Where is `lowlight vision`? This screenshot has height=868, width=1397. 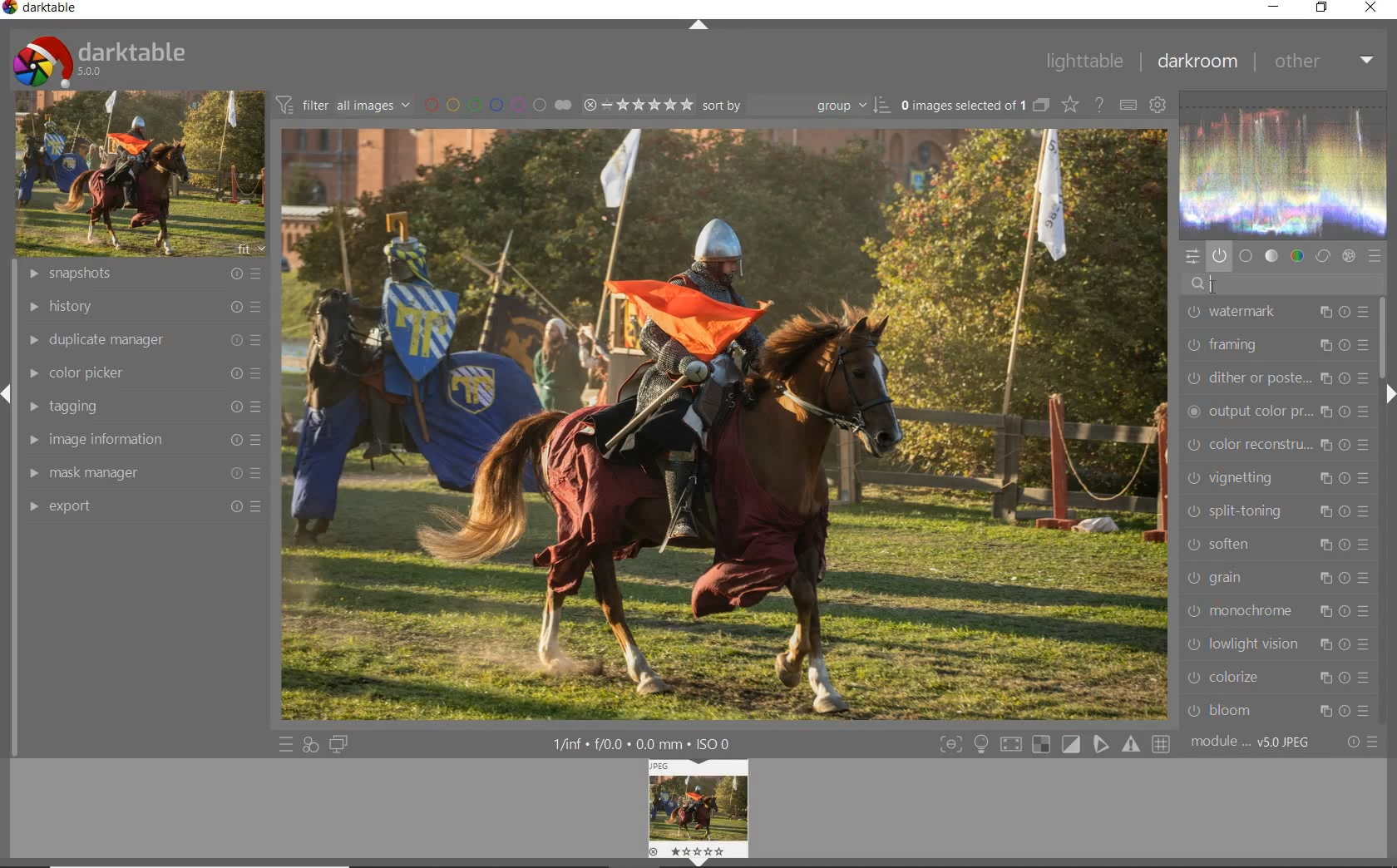
lowlight vision is located at coordinates (1279, 646).